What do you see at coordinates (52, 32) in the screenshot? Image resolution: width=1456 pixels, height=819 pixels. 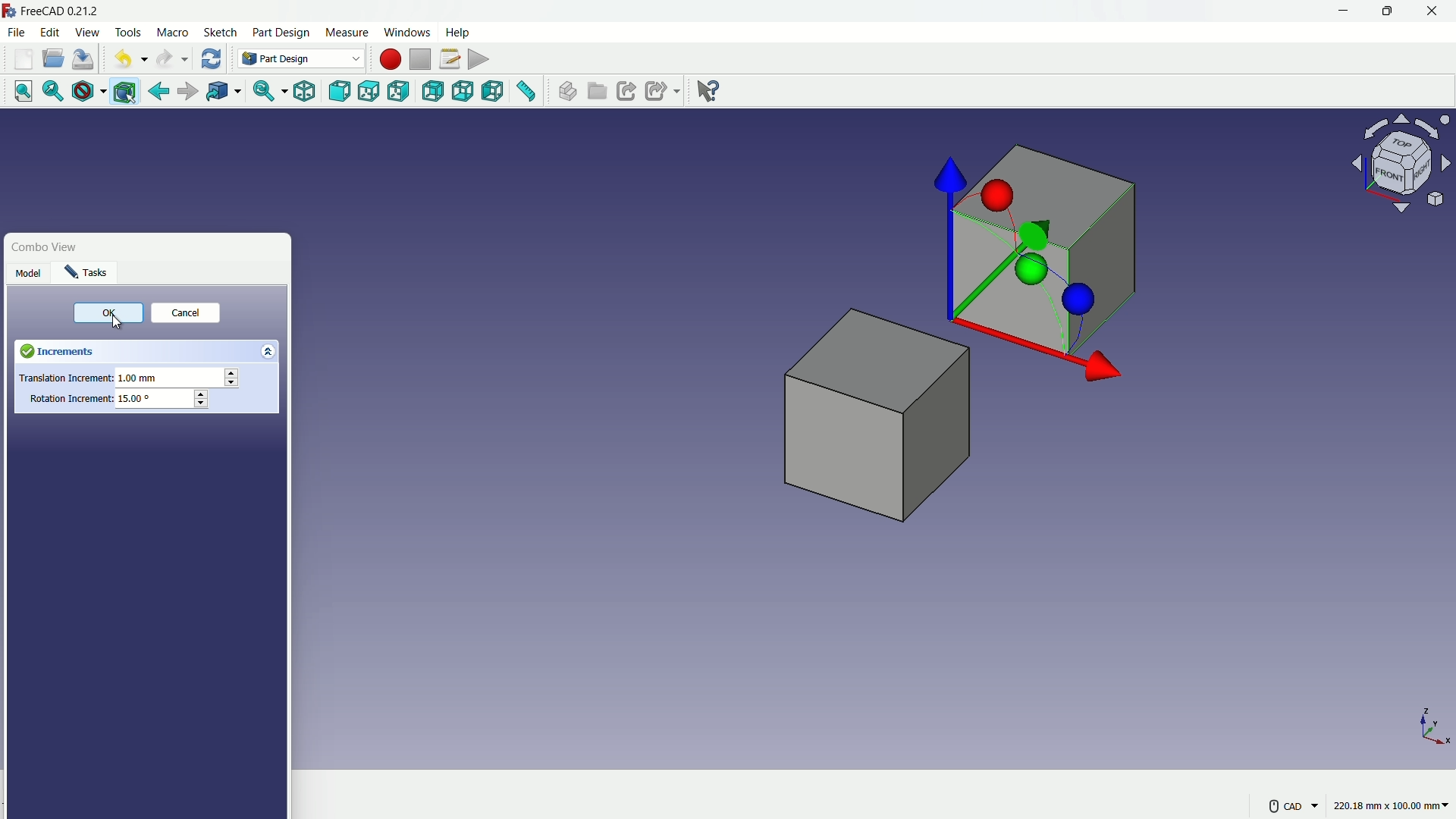 I see `edit` at bounding box center [52, 32].